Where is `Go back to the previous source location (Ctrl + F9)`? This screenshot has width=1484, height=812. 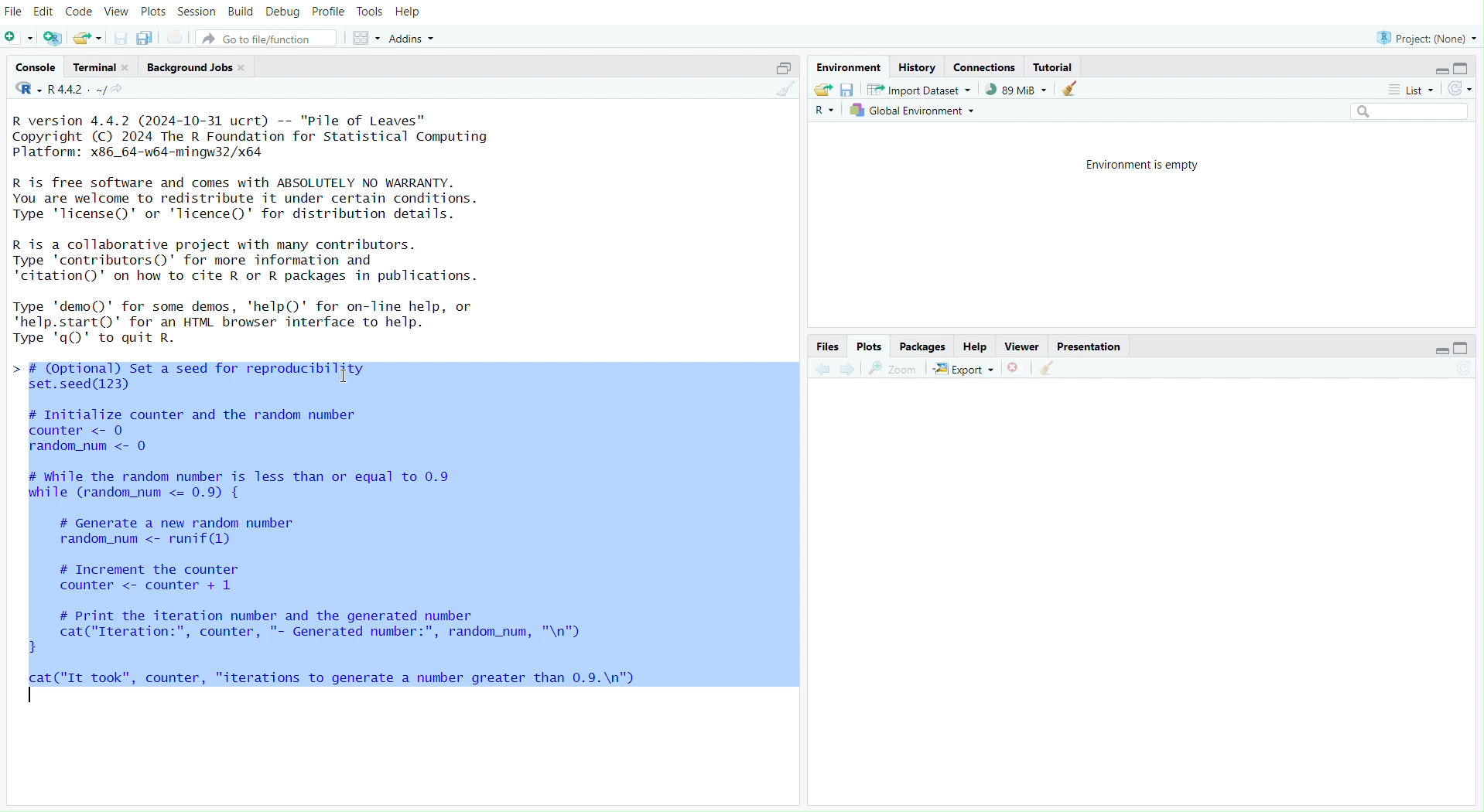
Go back to the previous source location (Ctrl + F9) is located at coordinates (819, 370).